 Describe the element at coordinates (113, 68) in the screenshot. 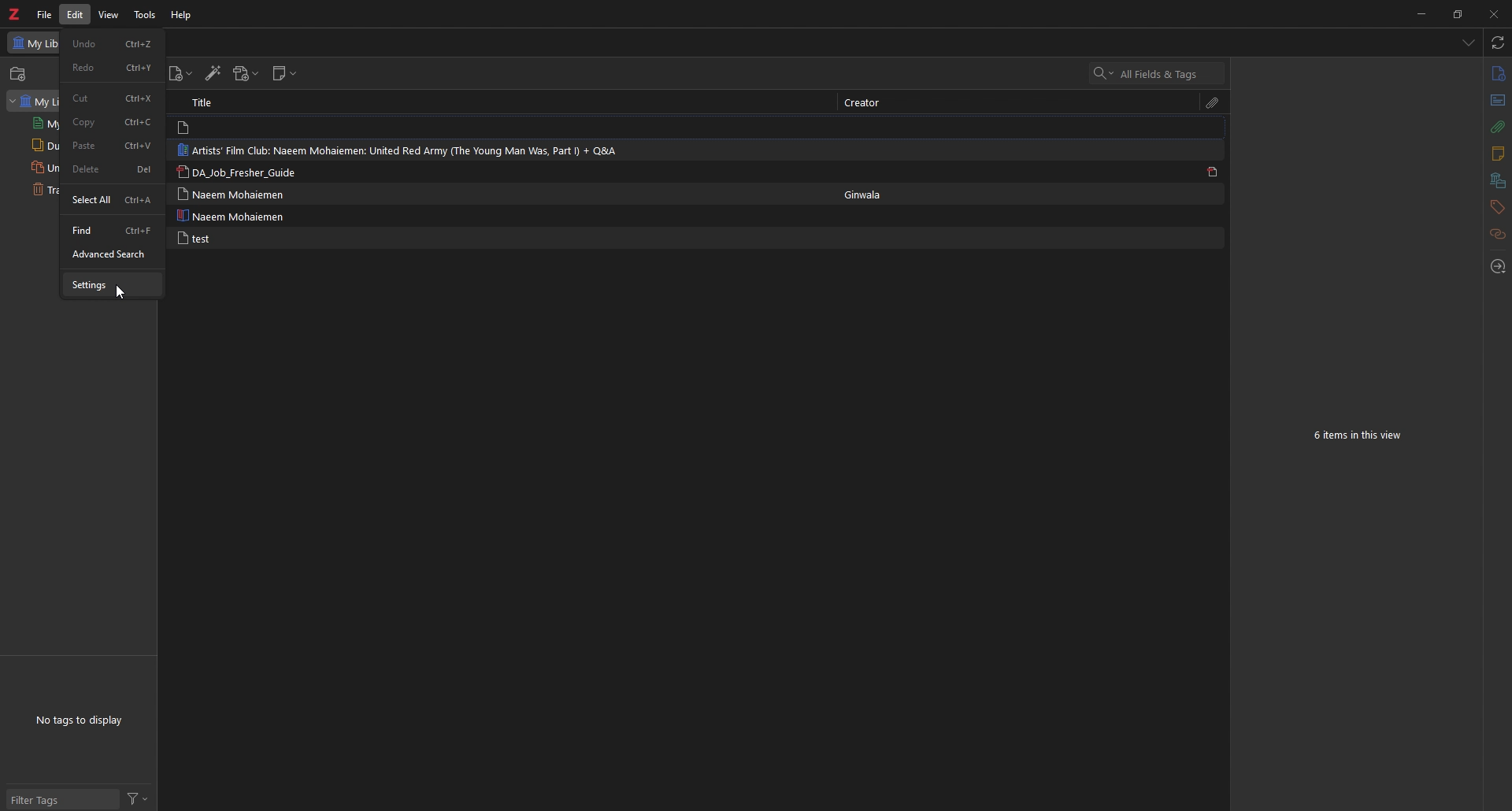

I see `Redo Ctrl+Y` at that location.